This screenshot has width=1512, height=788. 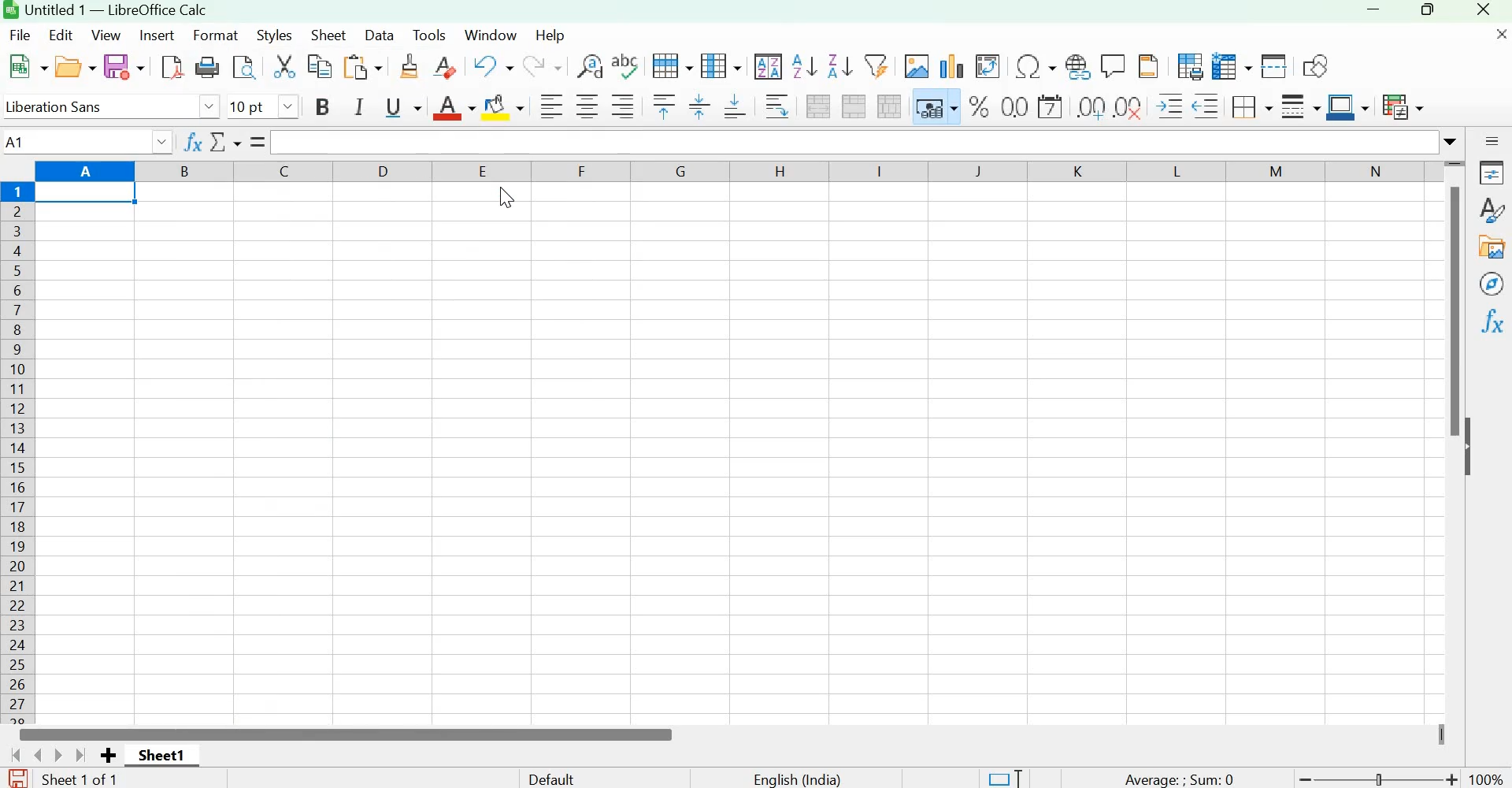 What do you see at coordinates (1450, 314) in the screenshot?
I see `Scrollbar` at bounding box center [1450, 314].